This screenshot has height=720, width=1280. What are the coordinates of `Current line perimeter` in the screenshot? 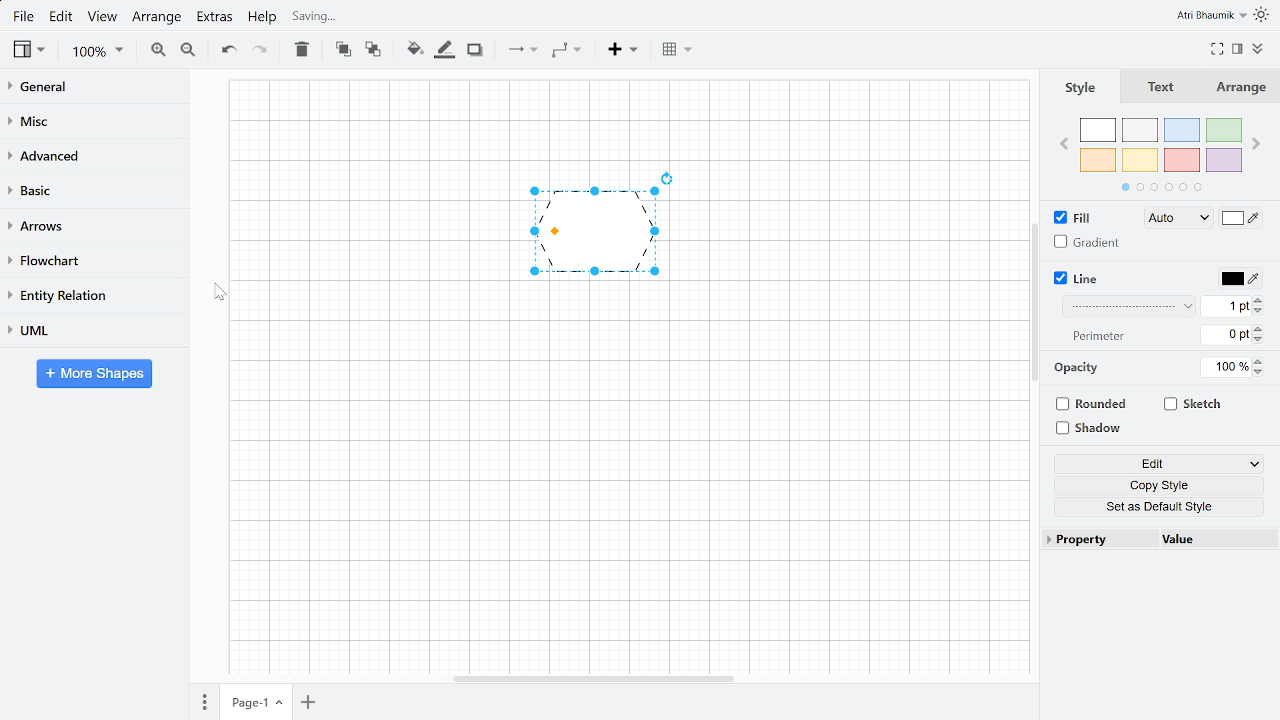 It's located at (1225, 335).